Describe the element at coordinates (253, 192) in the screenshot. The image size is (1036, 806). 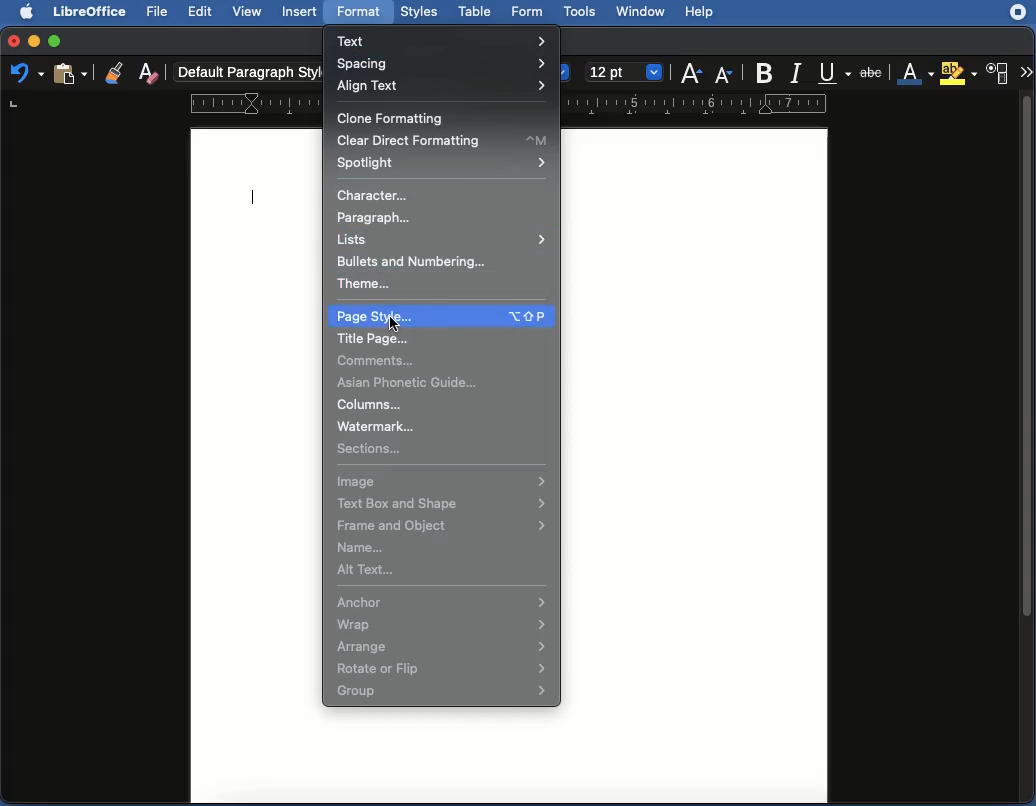
I see `typing cursor` at that location.